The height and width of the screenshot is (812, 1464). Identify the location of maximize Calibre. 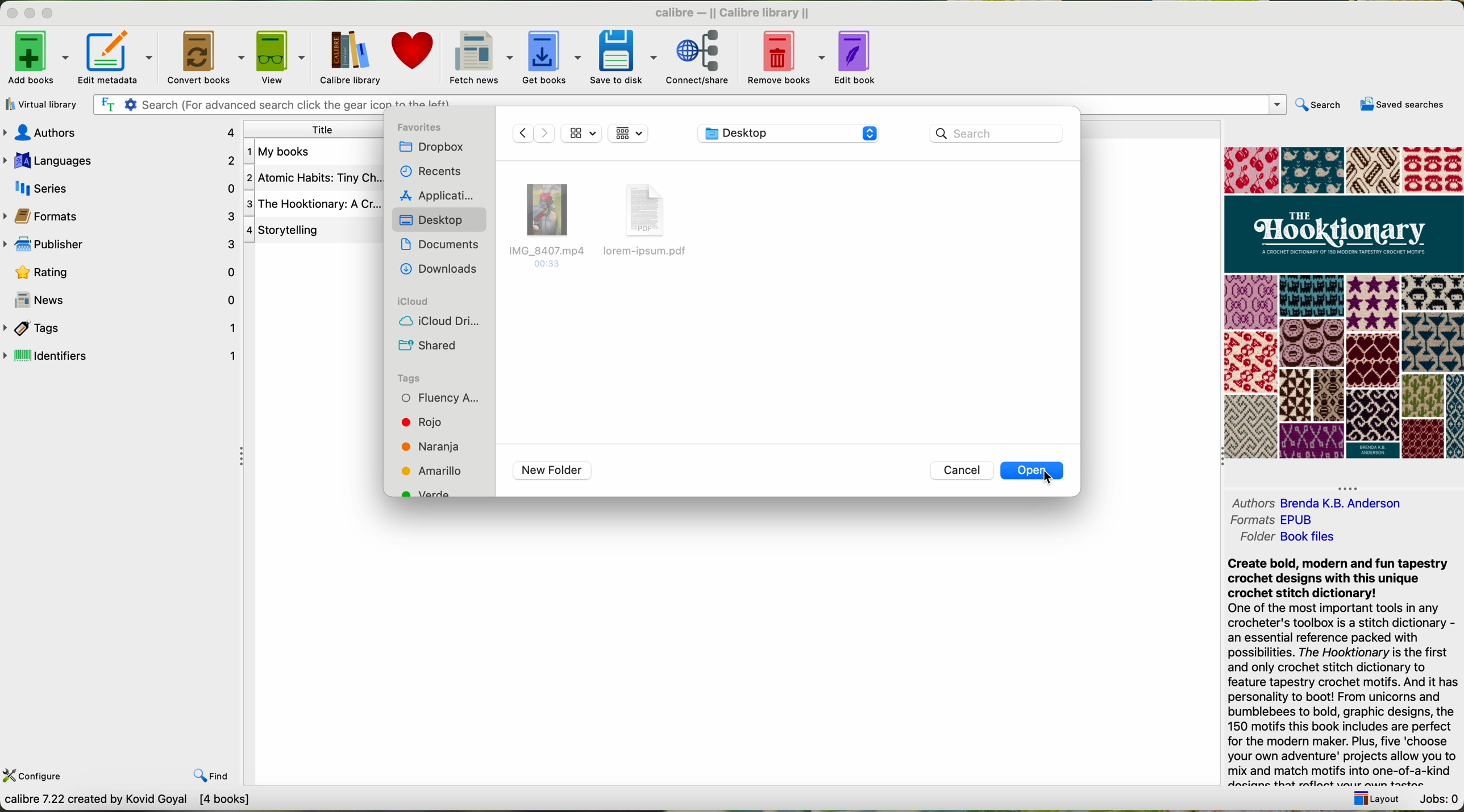
(50, 11).